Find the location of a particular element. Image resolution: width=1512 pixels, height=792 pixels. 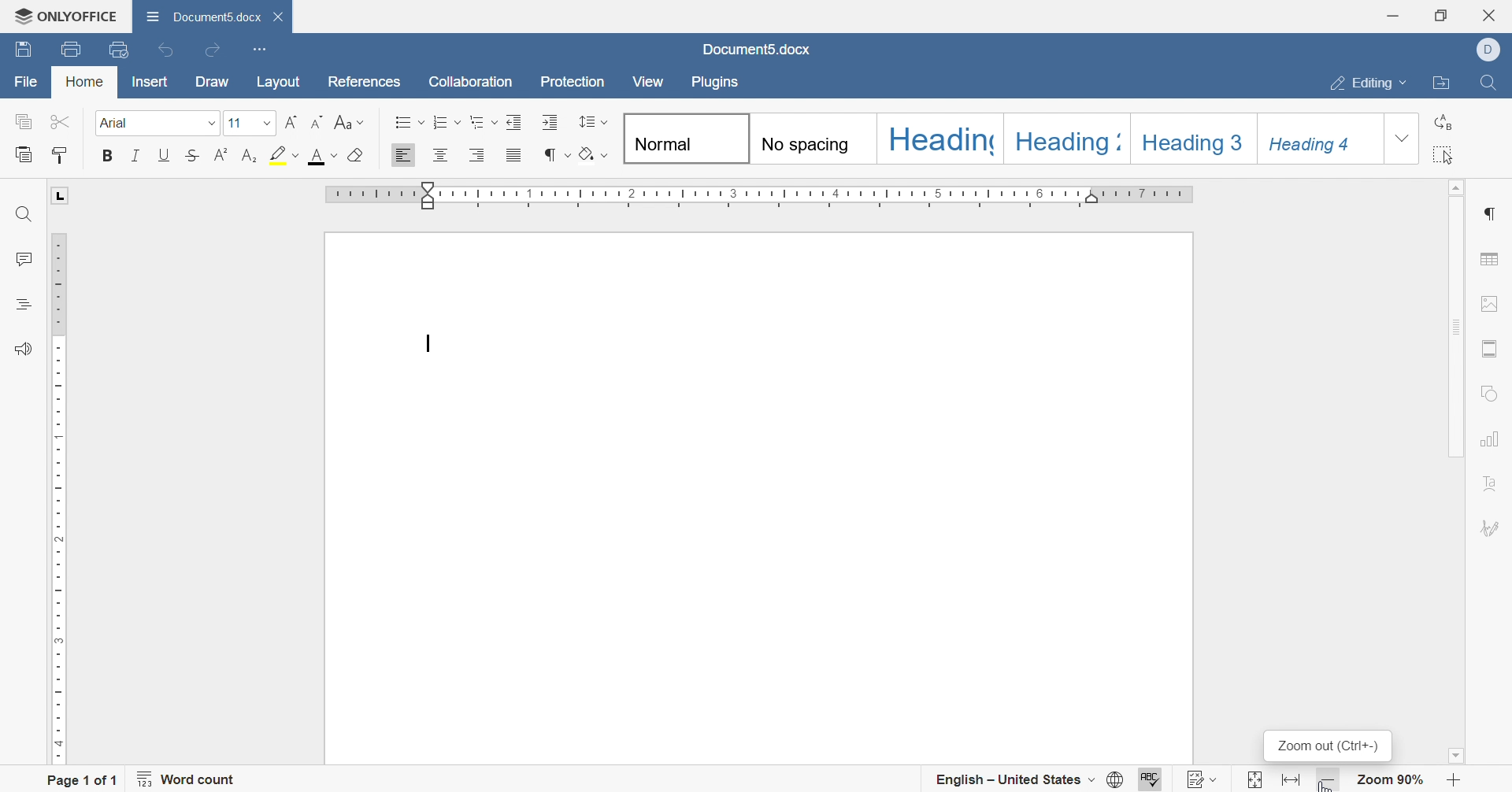

plugins is located at coordinates (723, 84).